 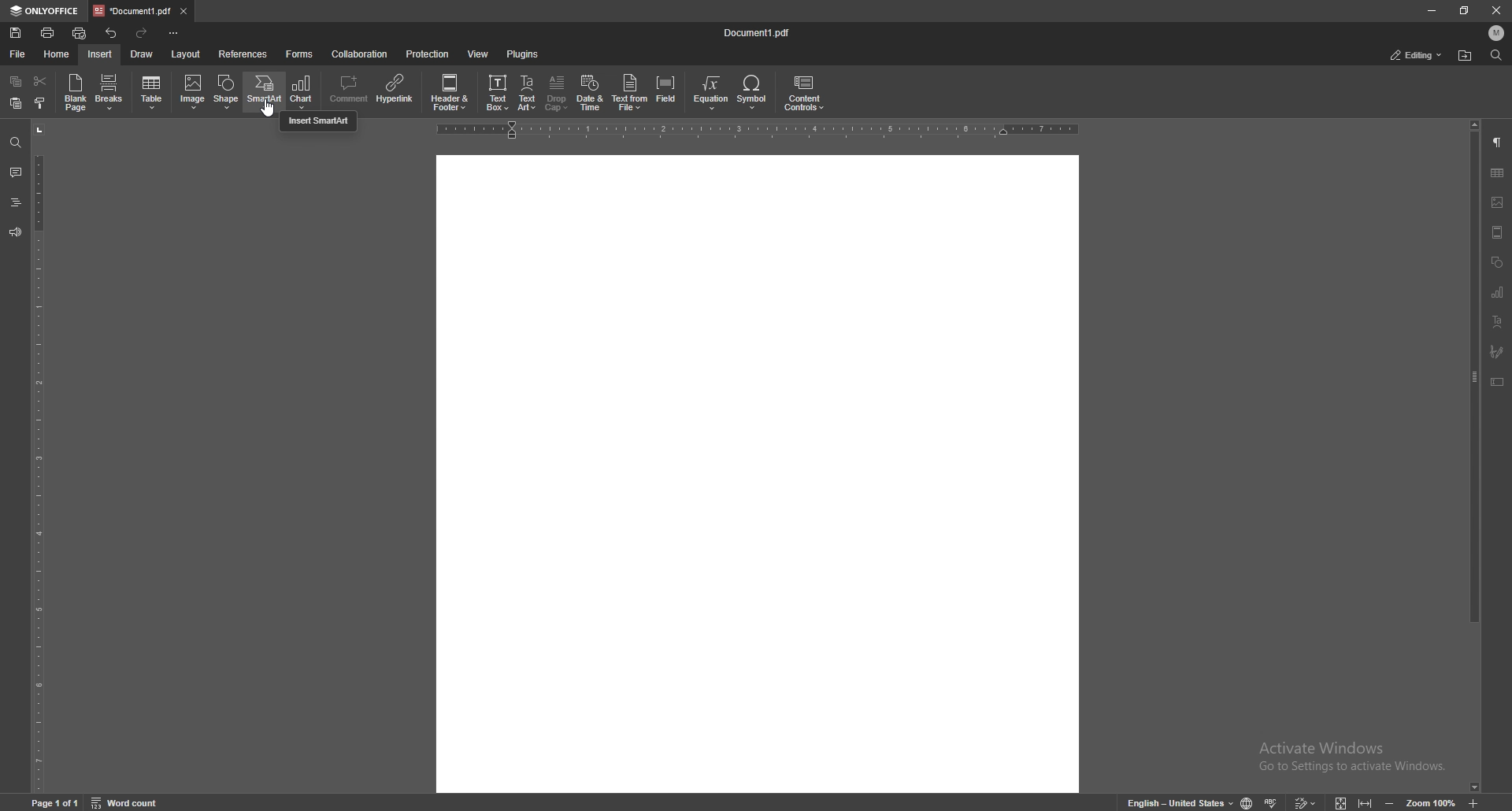 I want to click on text box, so click(x=1497, y=382).